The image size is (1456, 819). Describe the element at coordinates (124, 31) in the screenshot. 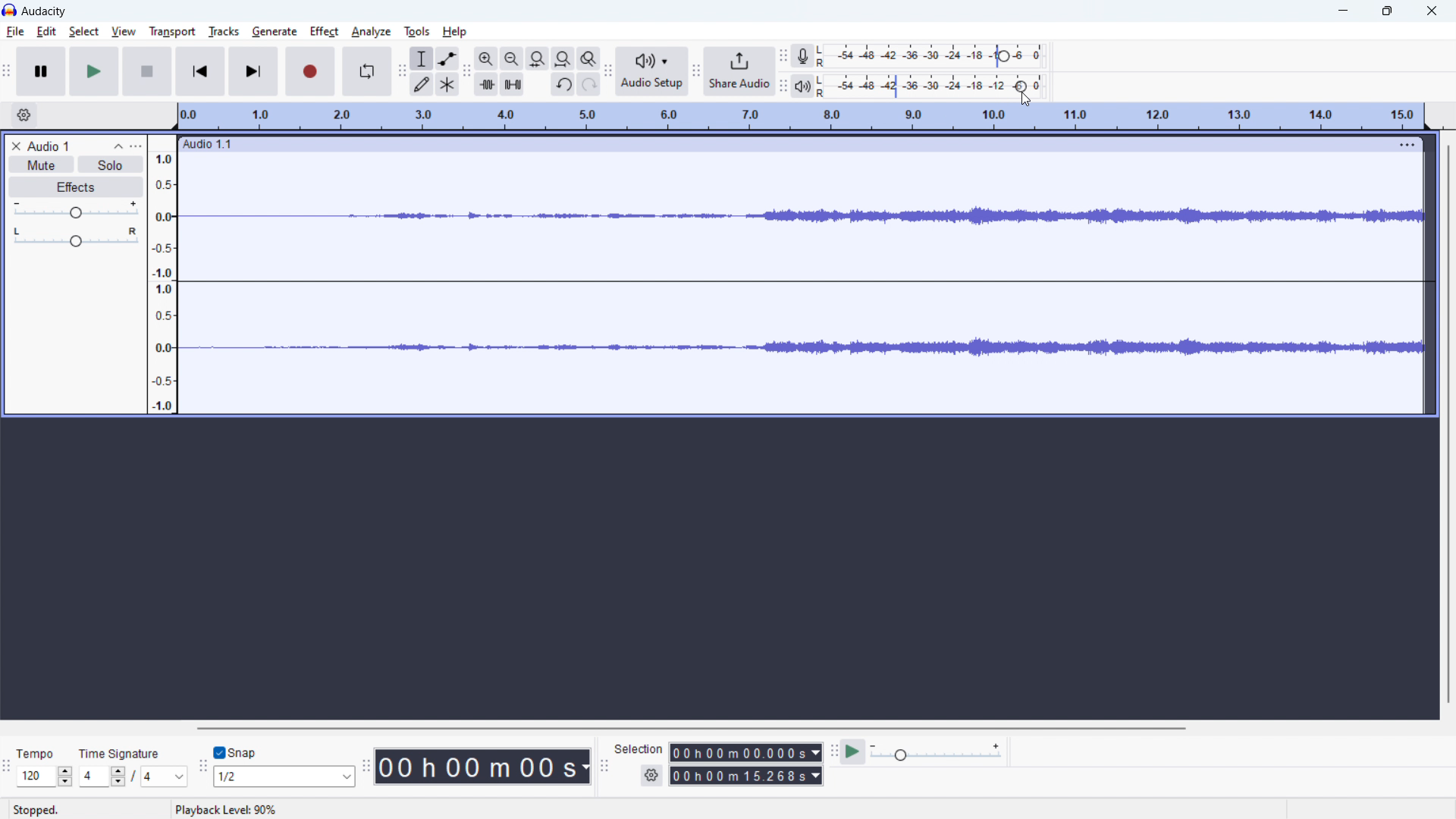

I see `view` at that location.